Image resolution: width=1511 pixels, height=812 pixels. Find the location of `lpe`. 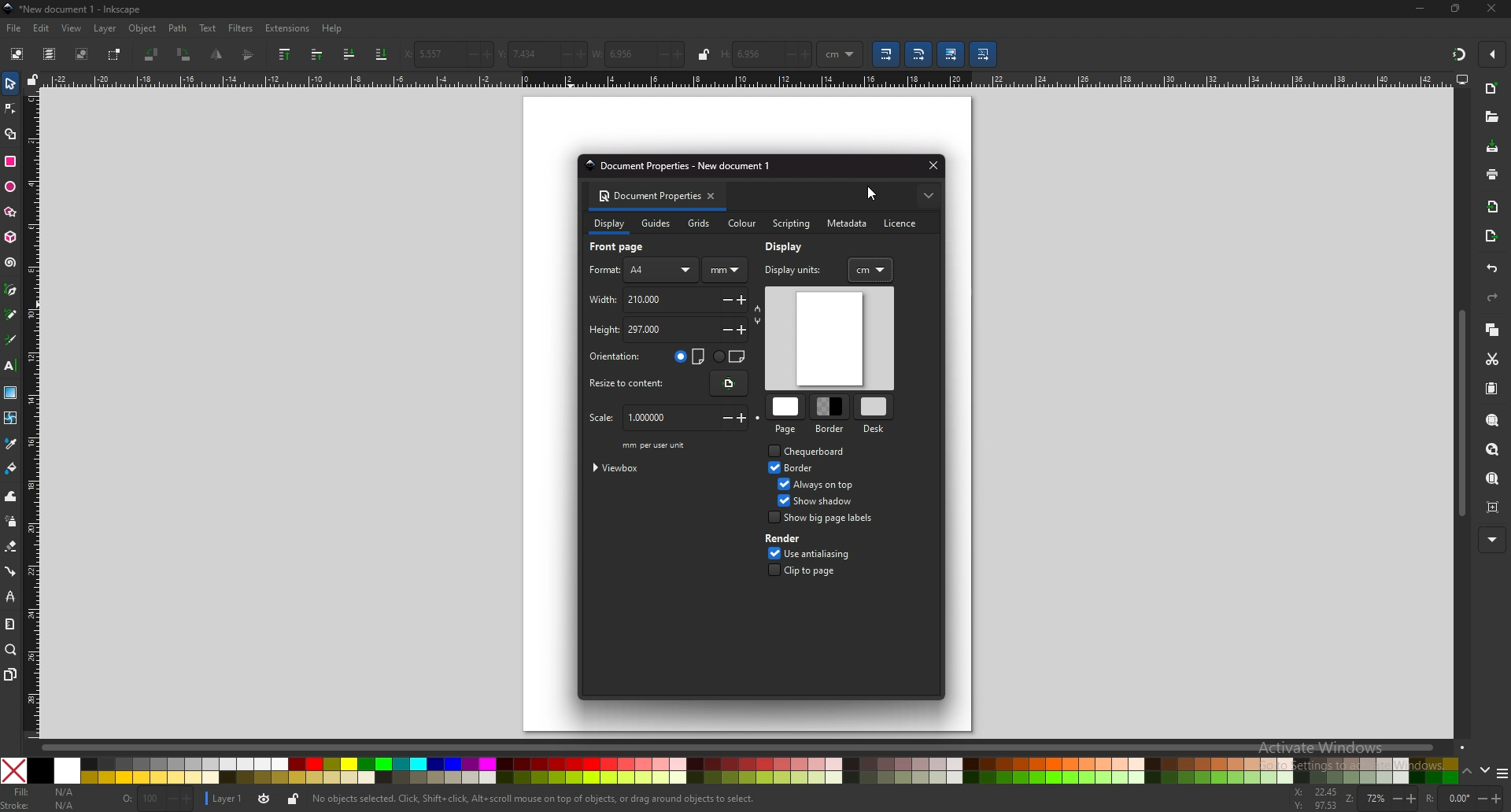

lpe is located at coordinates (9, 597).